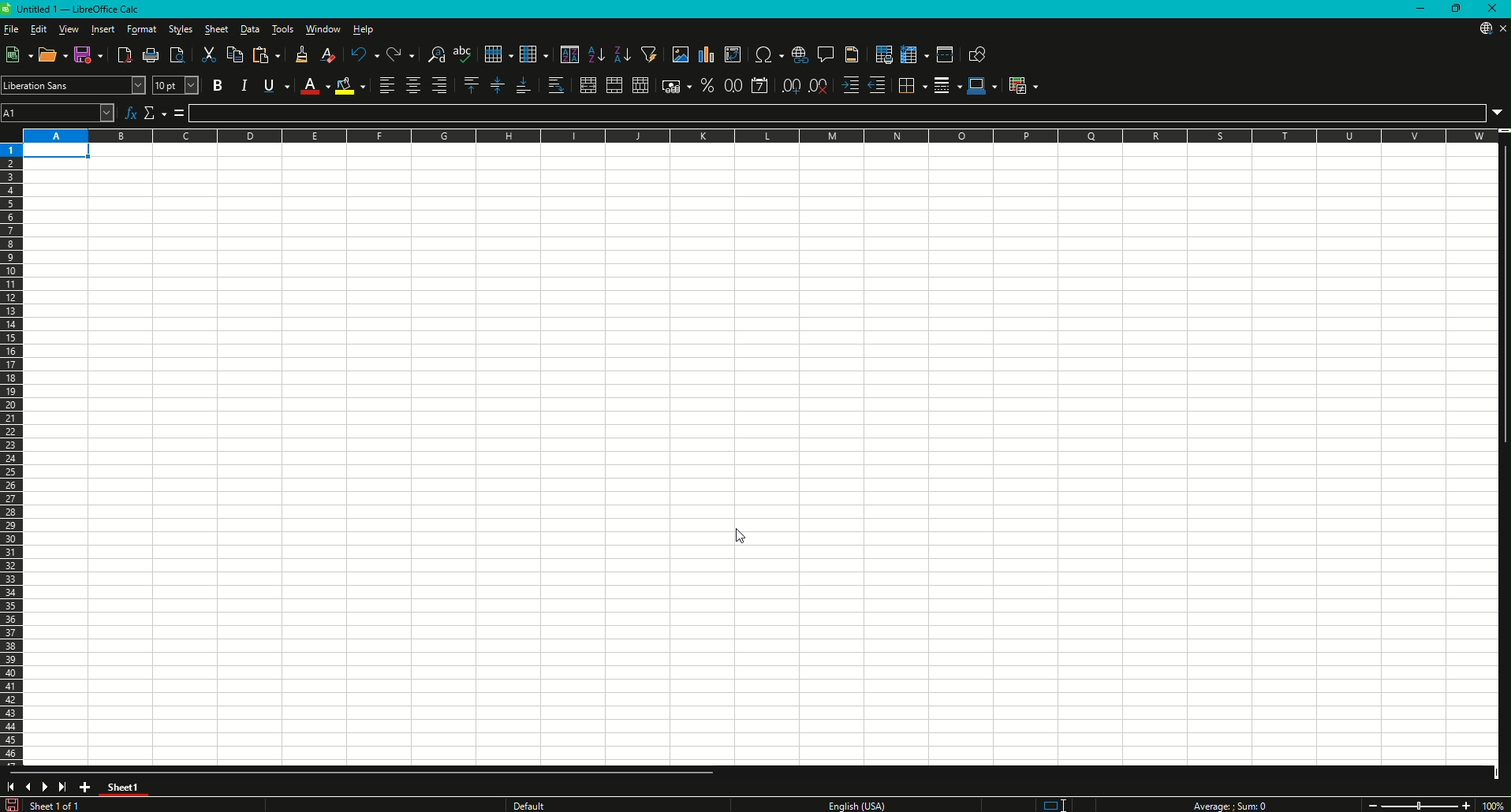  I want to click on Spelling, so click(464, 54).